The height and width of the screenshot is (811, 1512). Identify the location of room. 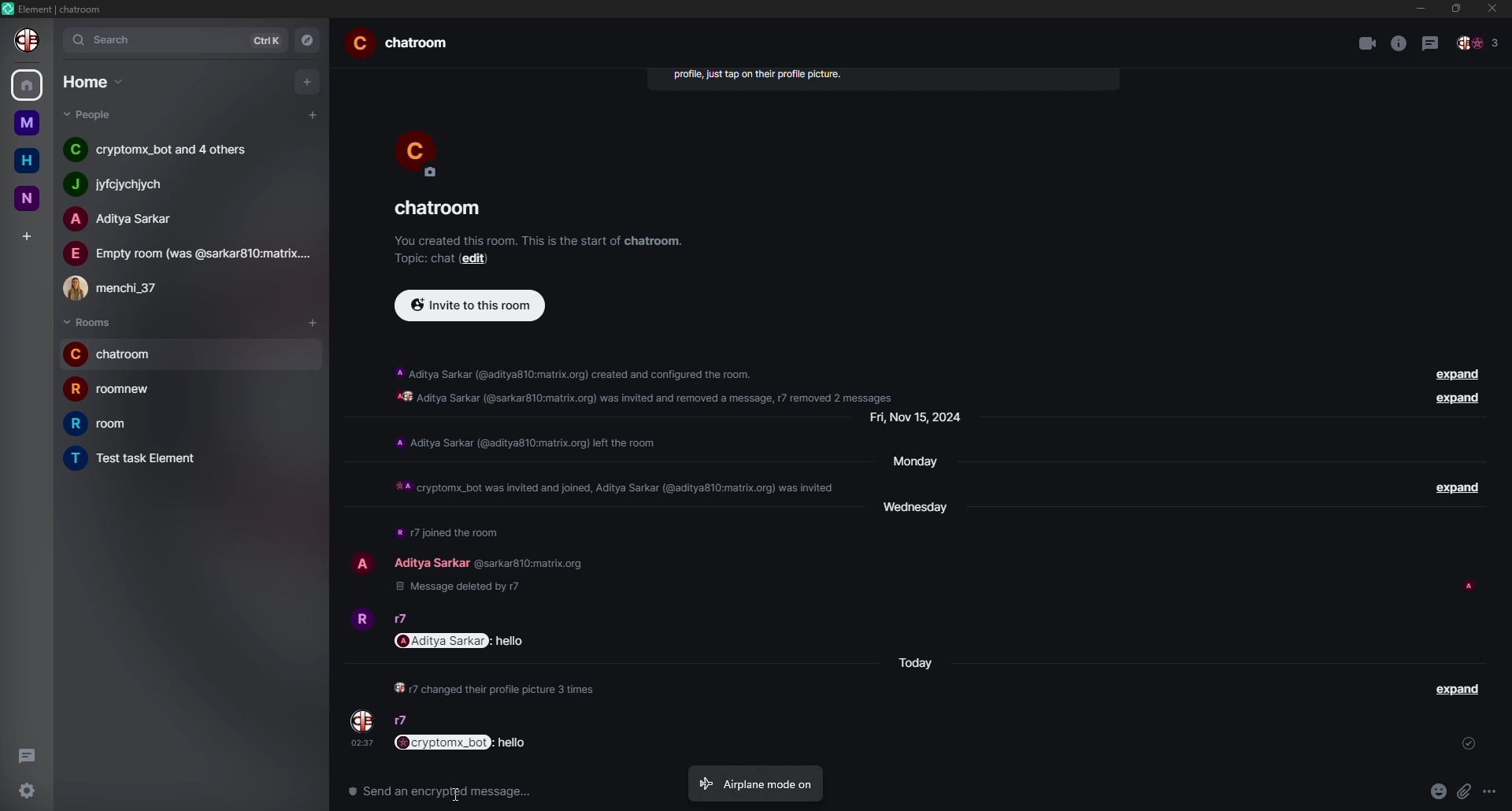
(102, 423).